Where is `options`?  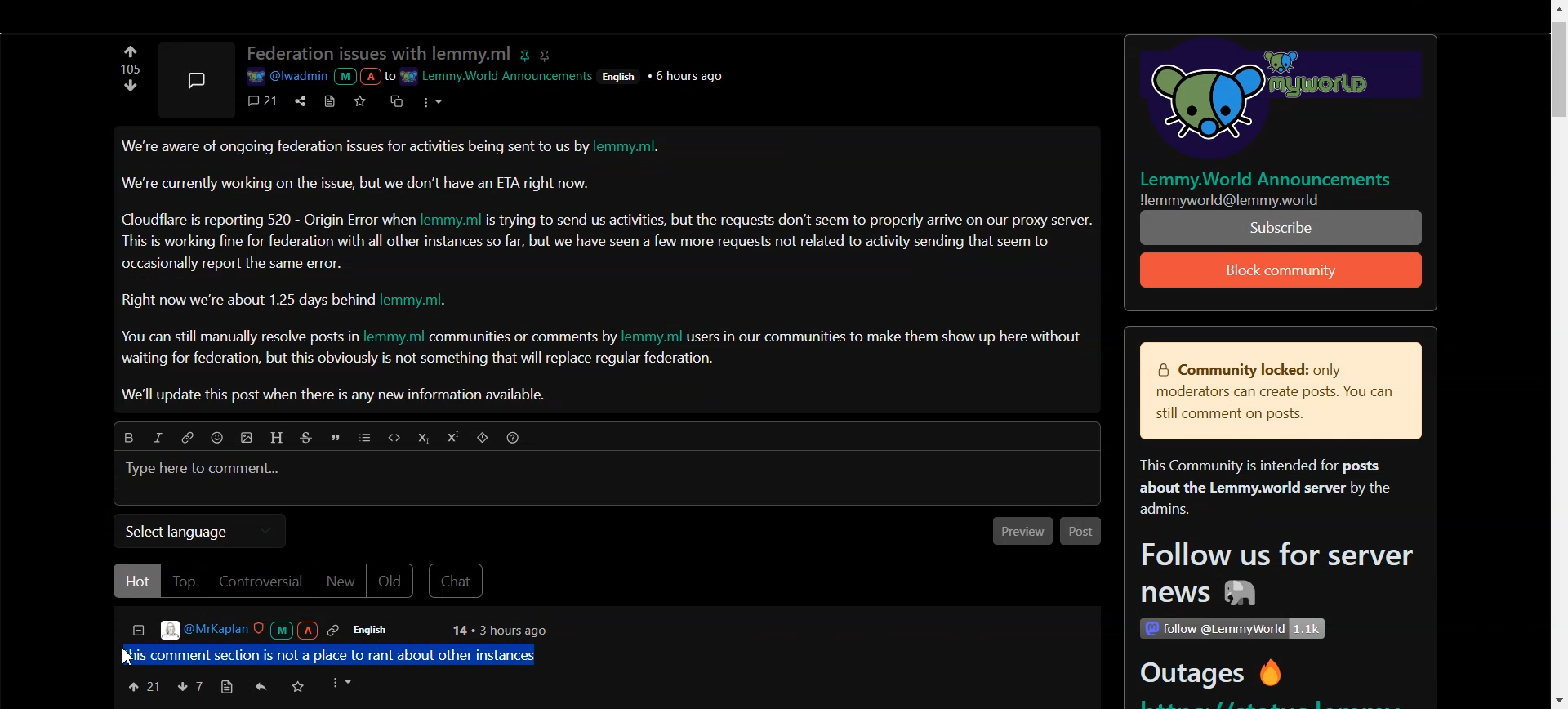 options is located at coordinates (344, 683).